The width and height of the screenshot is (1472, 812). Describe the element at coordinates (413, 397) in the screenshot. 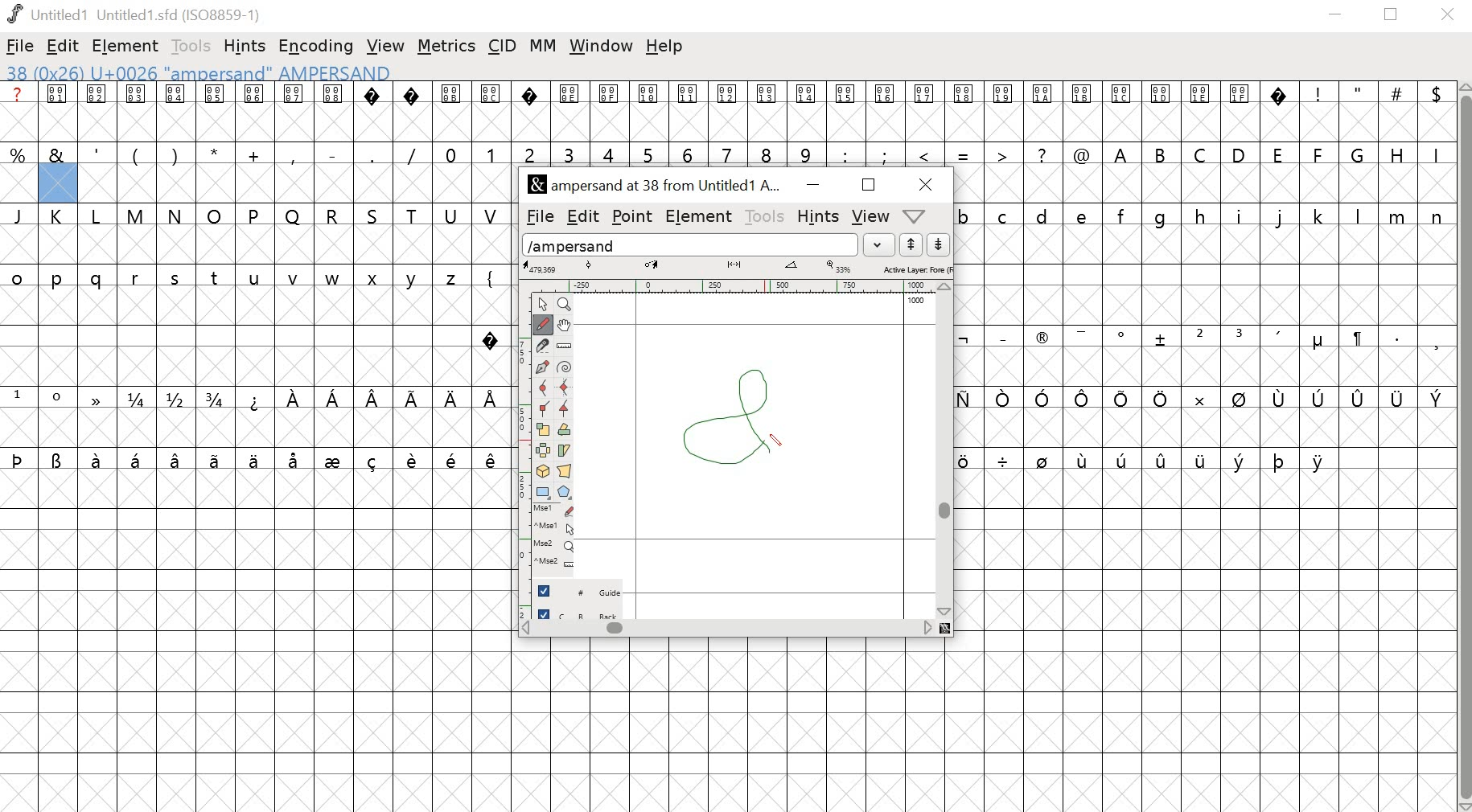

I see `symbol` at that location.